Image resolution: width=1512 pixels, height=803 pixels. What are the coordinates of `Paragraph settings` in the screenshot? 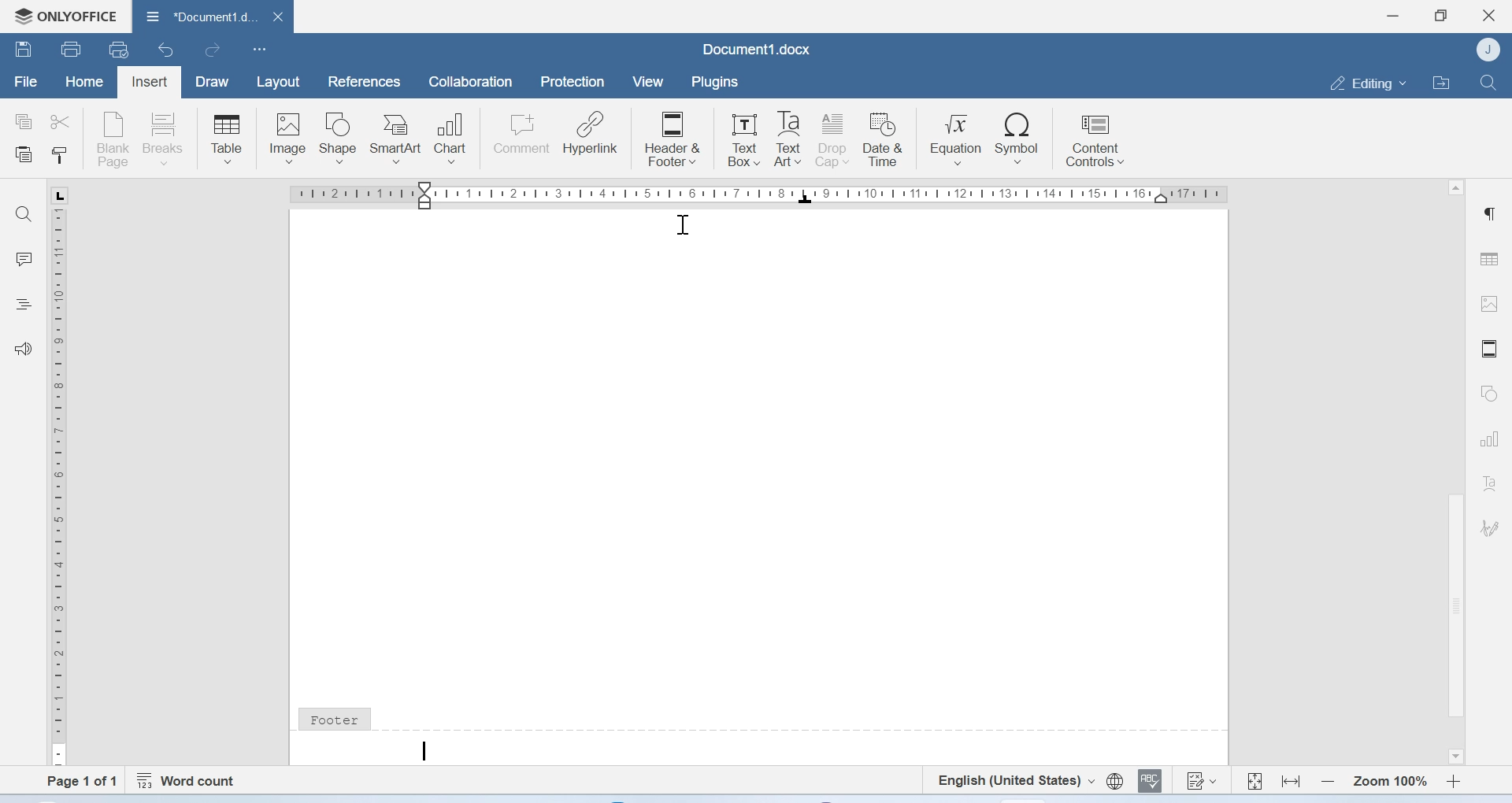 It's located at (1492, 214).